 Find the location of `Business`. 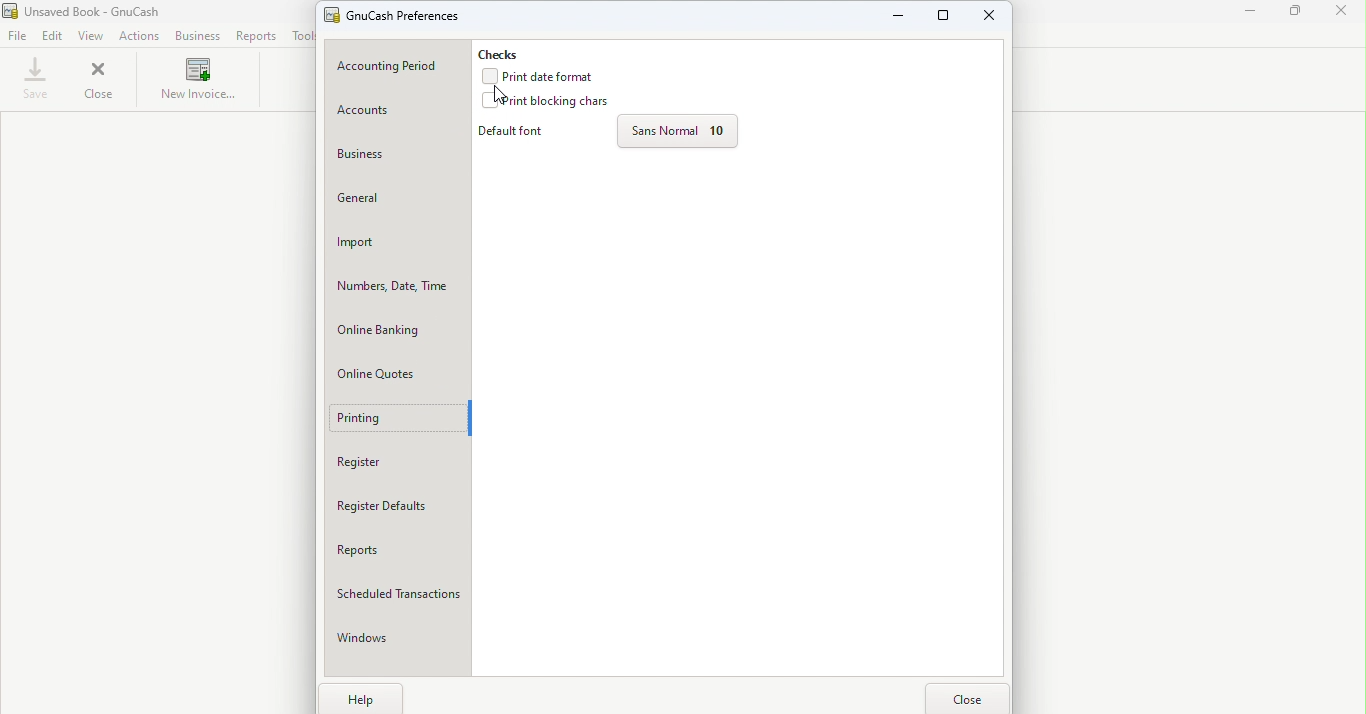

Business is located at coordinates (399, 155).